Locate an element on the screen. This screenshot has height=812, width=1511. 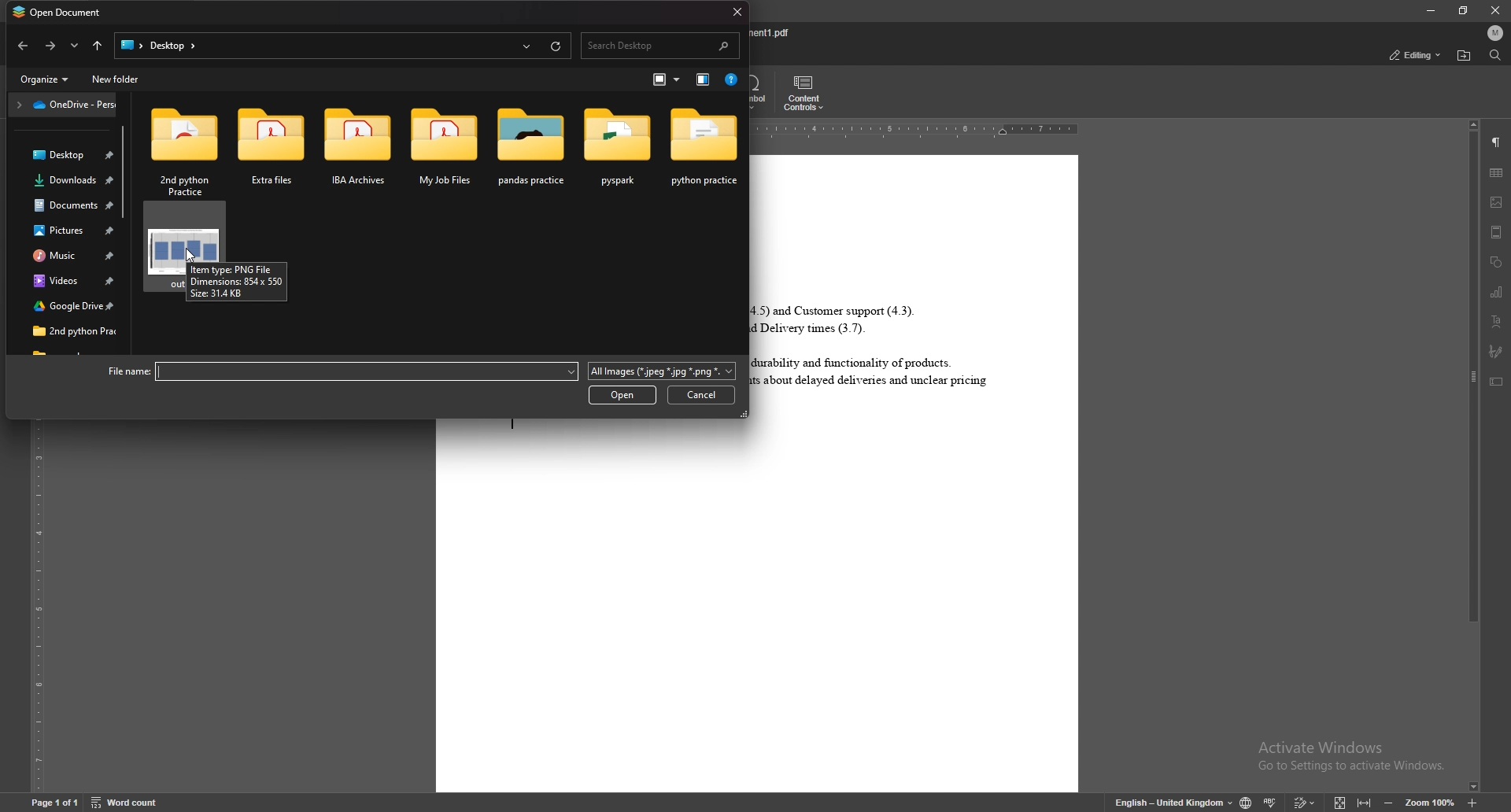
folder is located at coordinates (63, 209).